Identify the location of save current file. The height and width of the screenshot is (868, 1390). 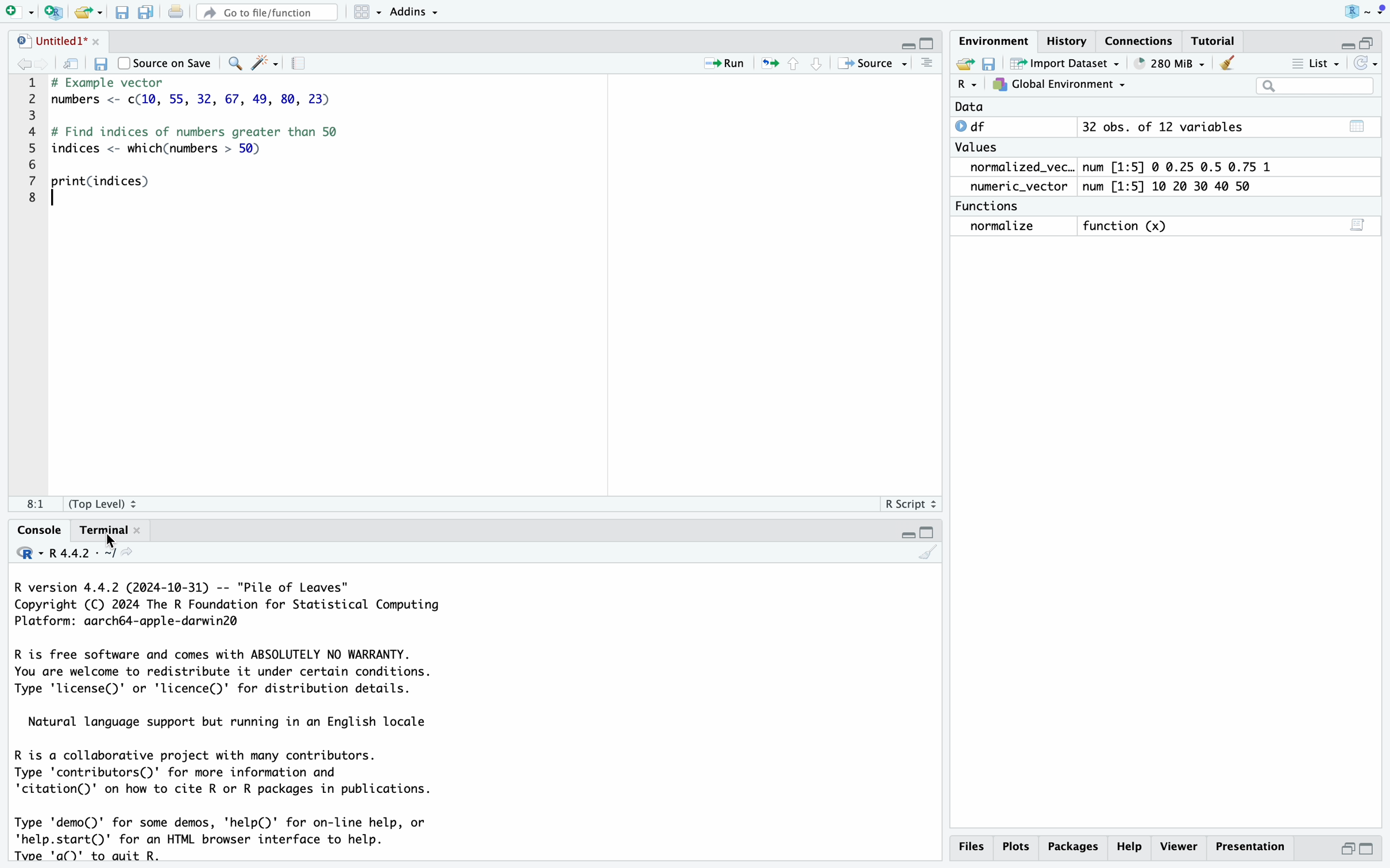
(120, 11).